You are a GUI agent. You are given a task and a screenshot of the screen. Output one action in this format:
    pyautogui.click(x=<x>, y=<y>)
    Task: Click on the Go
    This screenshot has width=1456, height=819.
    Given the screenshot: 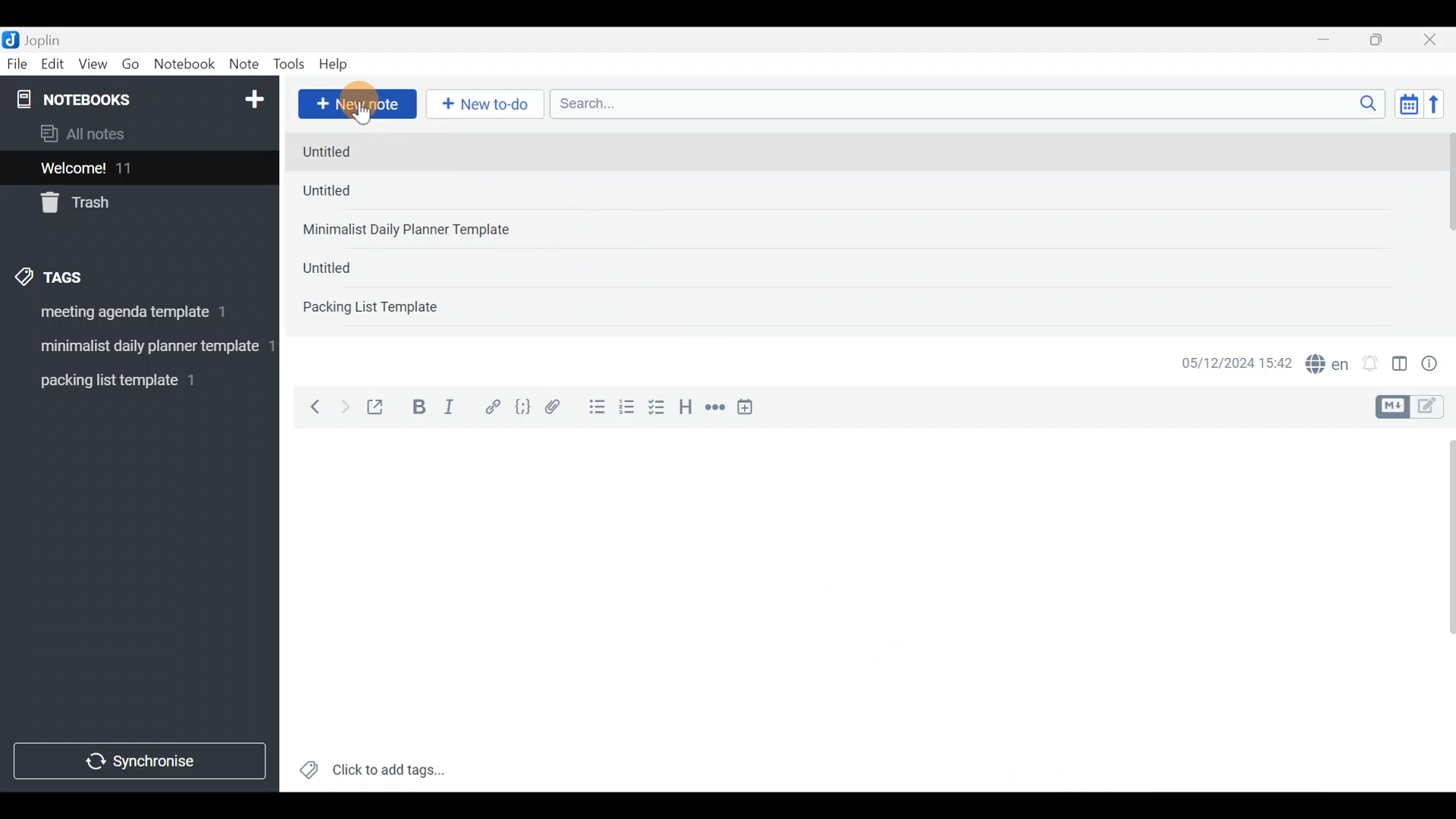 What is the action you would take?
    pyautogui.click(x=130, y=67)
    